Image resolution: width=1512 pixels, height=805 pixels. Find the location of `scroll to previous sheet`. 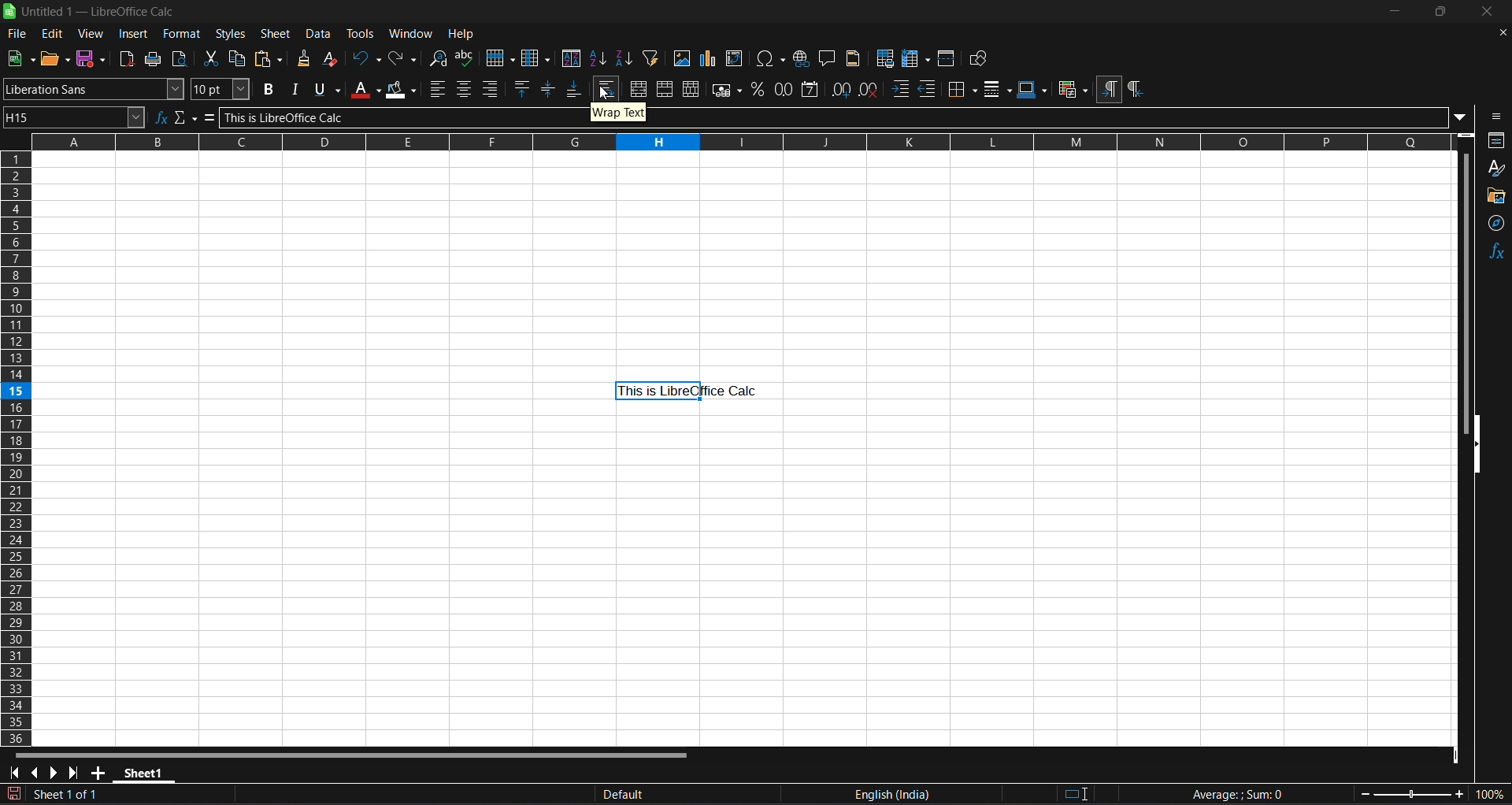

scroll to previous sheet is located at coordinates (35, 772).